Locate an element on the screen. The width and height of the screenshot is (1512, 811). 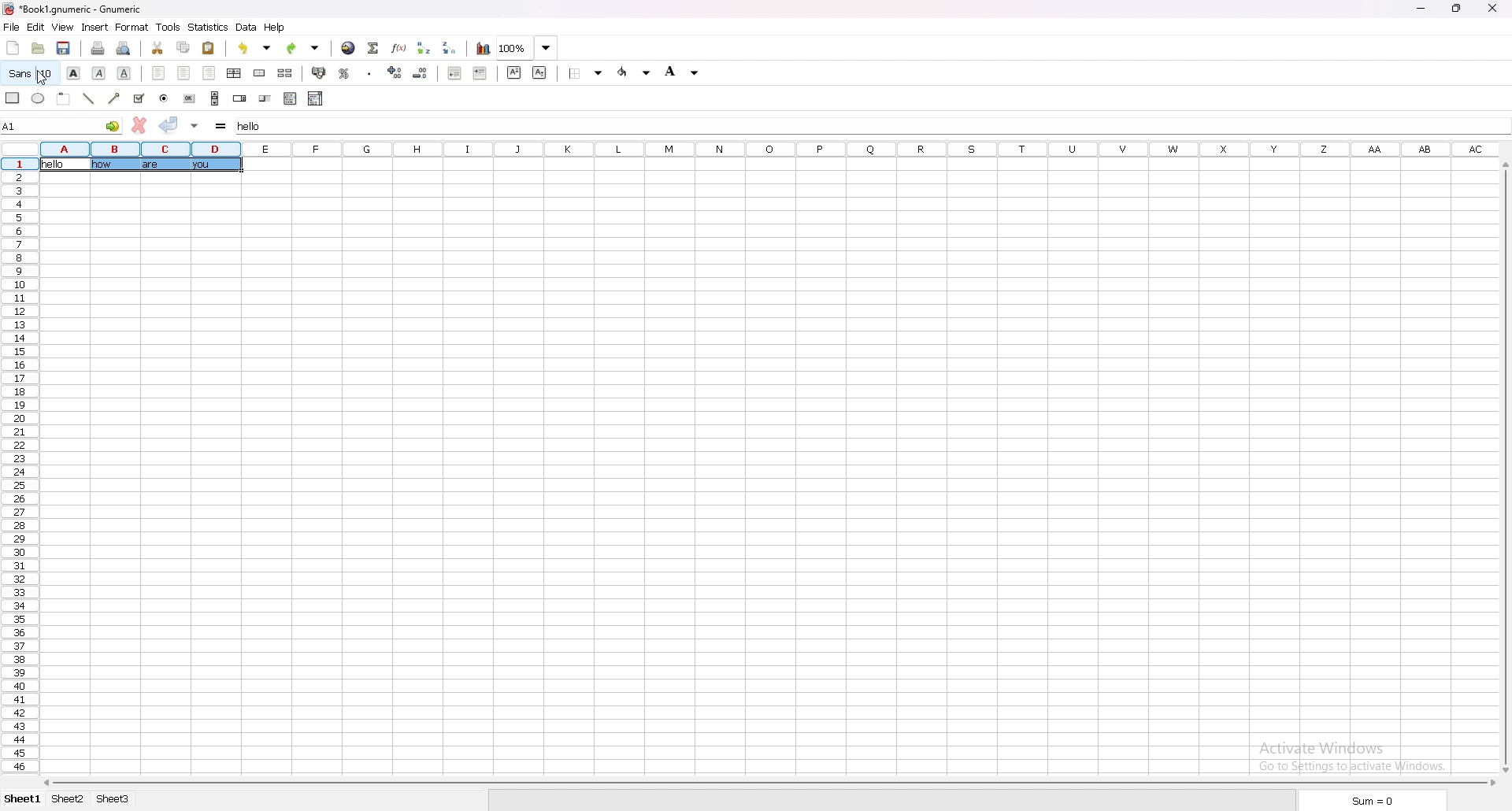
open is located at coordinates (38, 47).